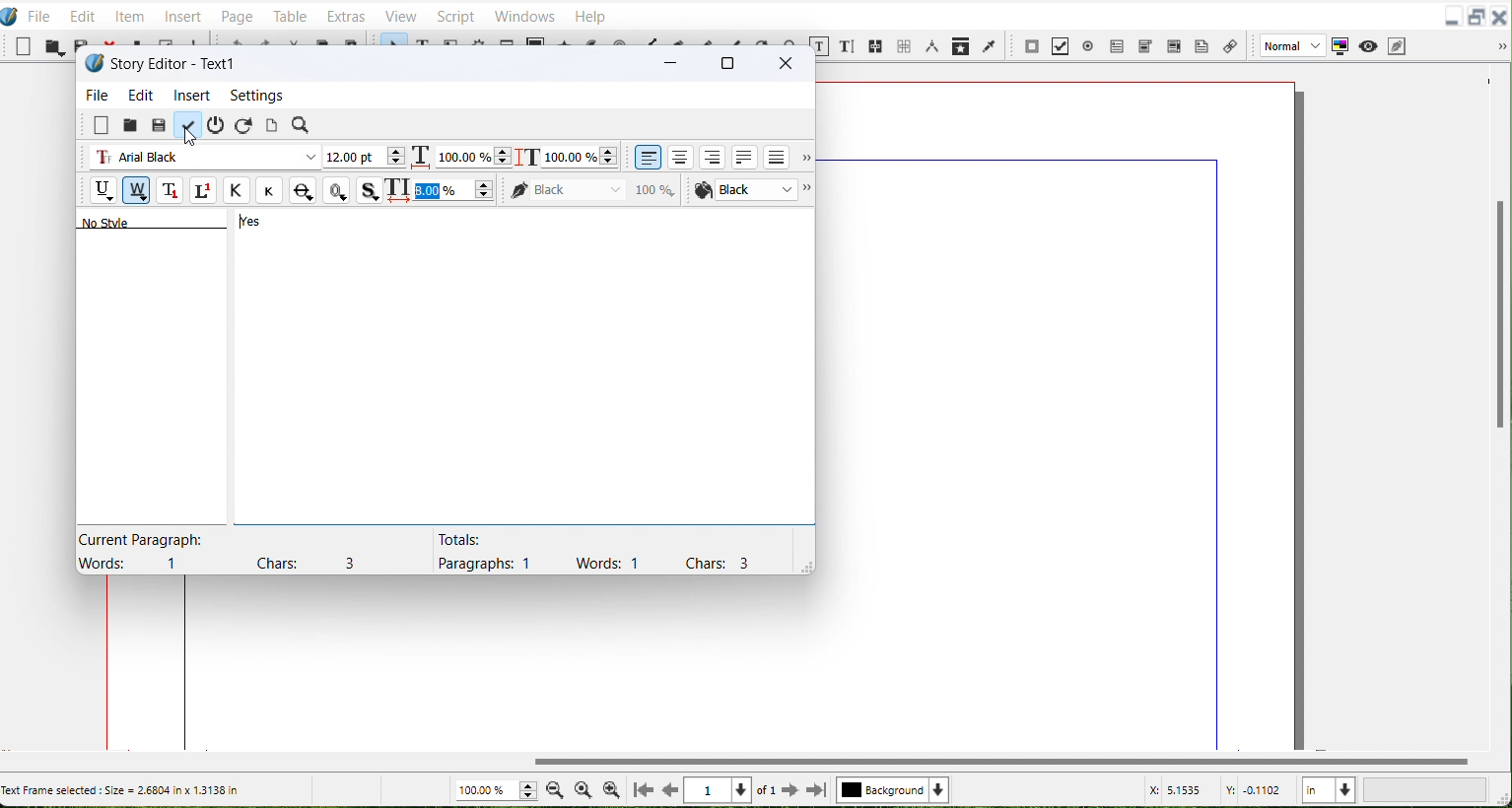 The image size is (1512, 808). Describe the element at coordinates (904, 45) in the screenshot. I see `Unlink text frame` at that location.